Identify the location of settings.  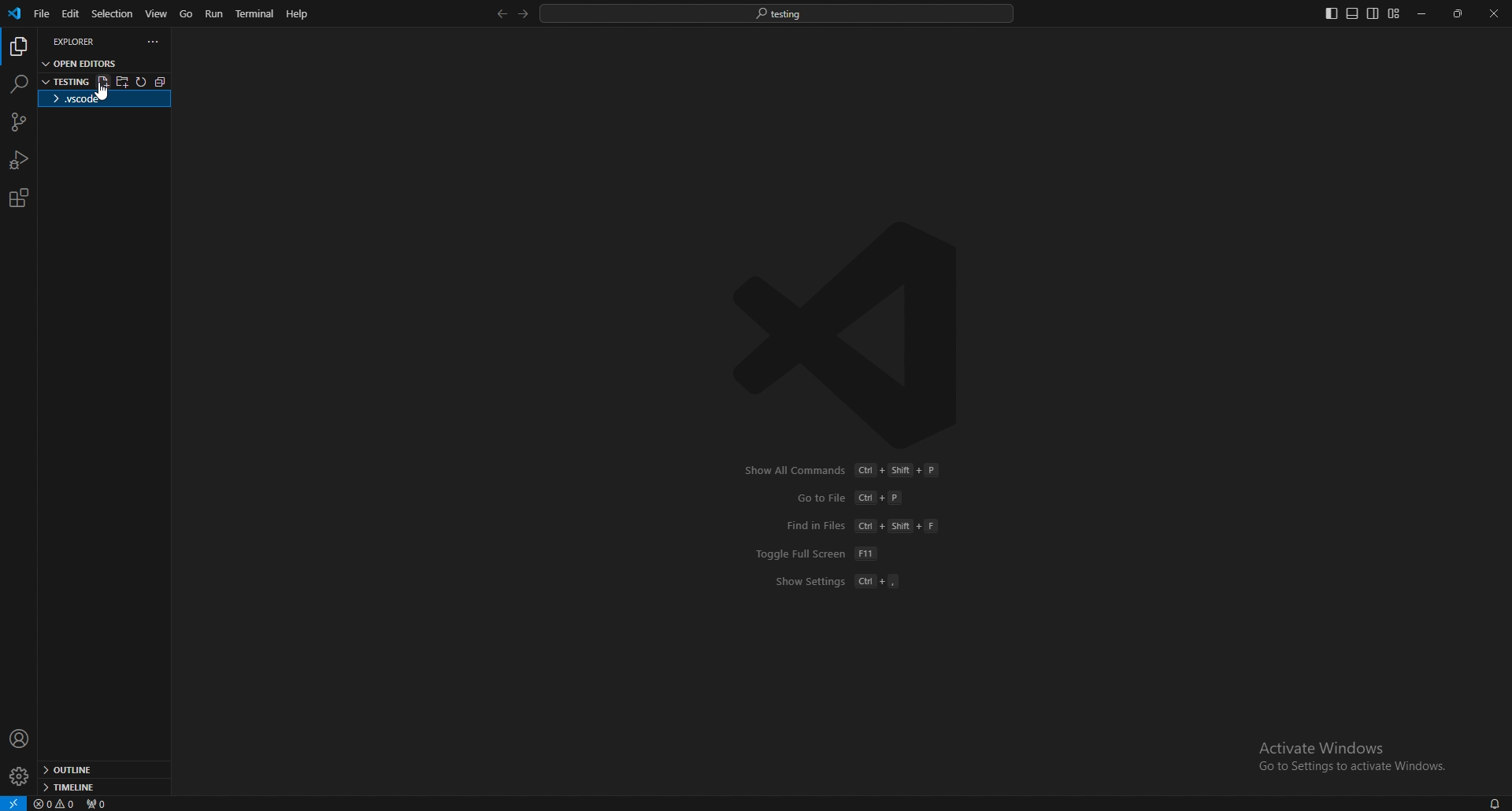
(18, 777).